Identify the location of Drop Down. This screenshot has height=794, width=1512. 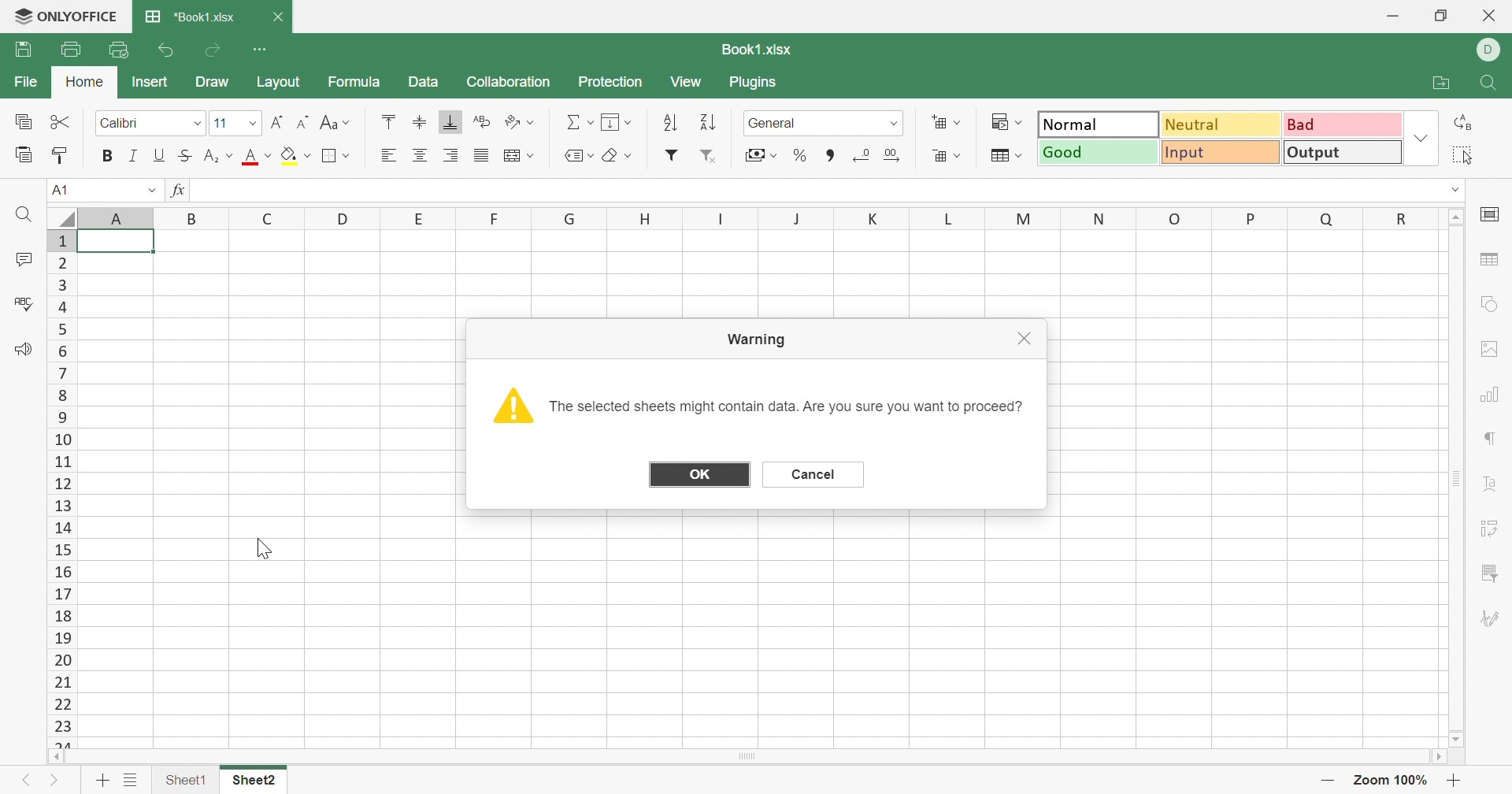
(254, 124).